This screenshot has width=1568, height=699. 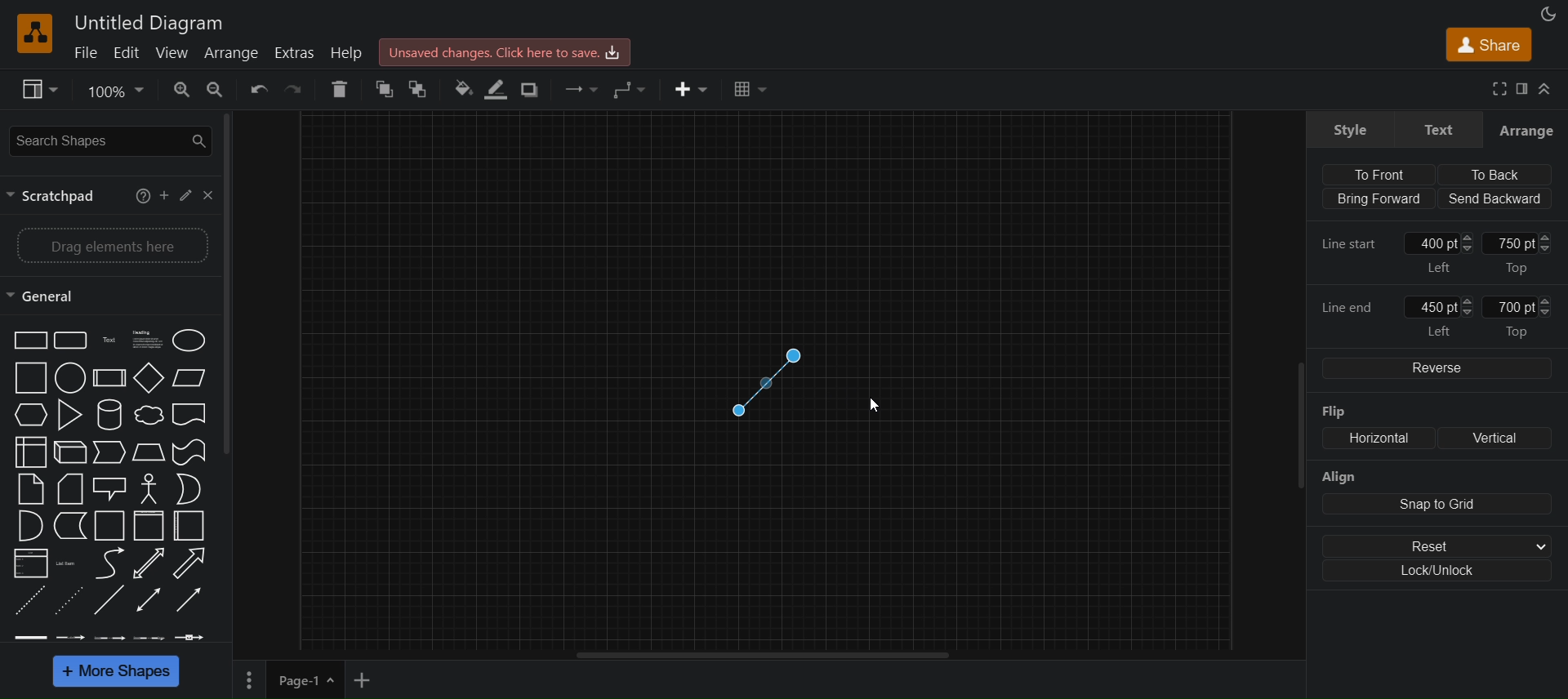 What do you see at coordinates (184, 195) in the screenshot?
I see `edit` at bounding box center [184, 195].